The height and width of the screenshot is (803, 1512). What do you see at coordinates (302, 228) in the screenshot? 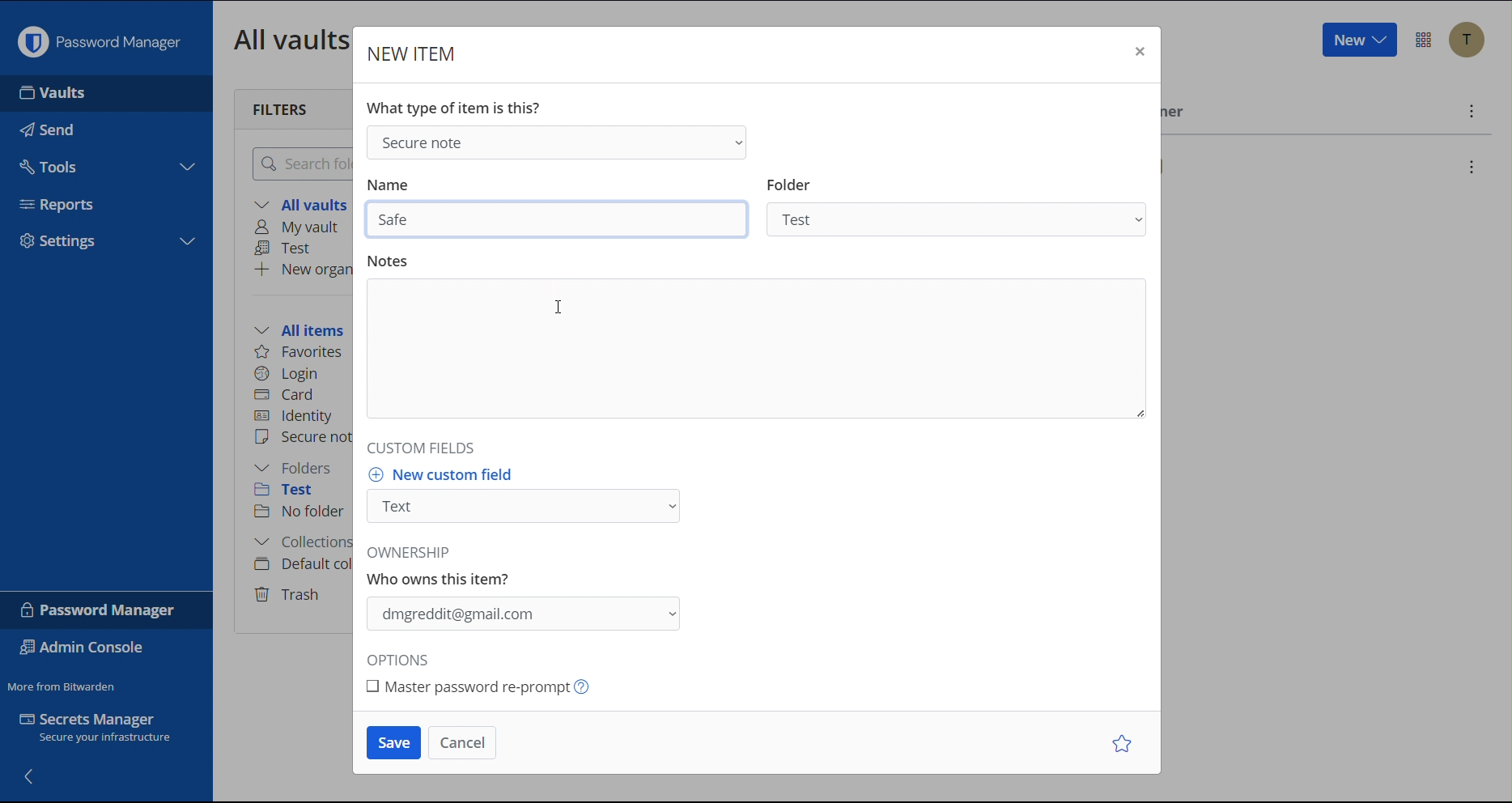
I see `My vault` at bounding box center [302, 228].